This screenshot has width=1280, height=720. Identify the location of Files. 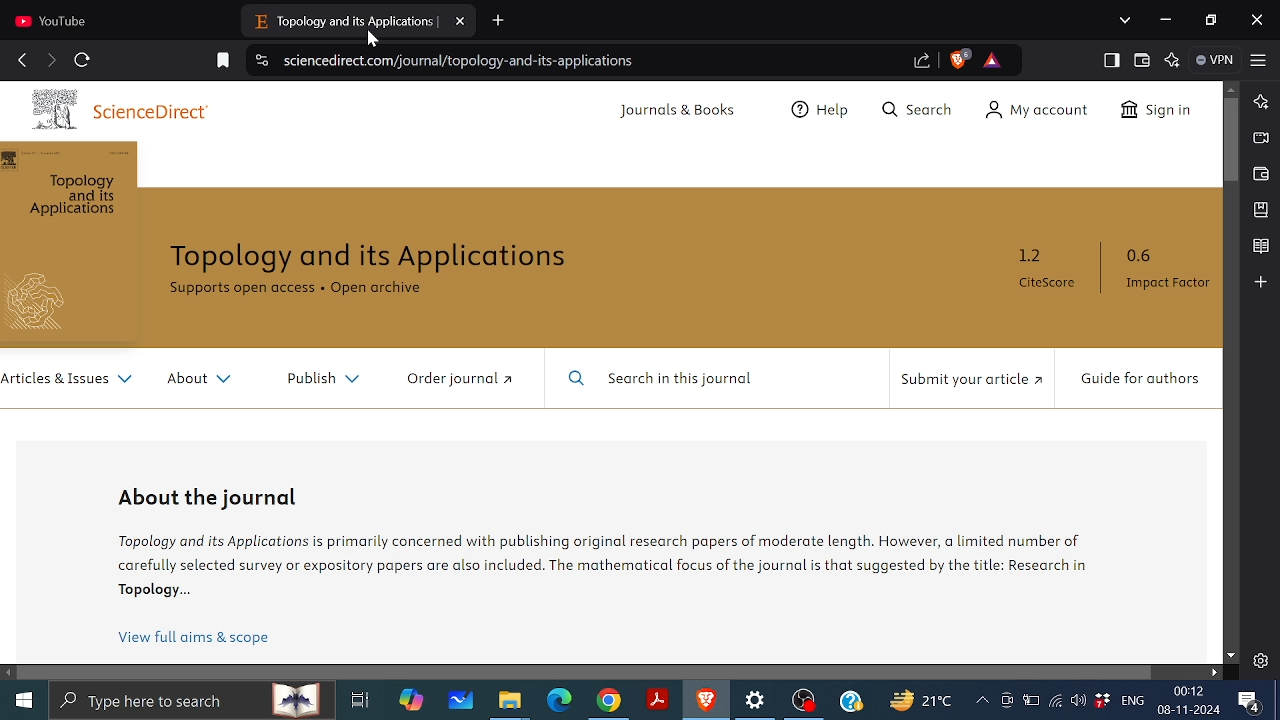
(510, 702).